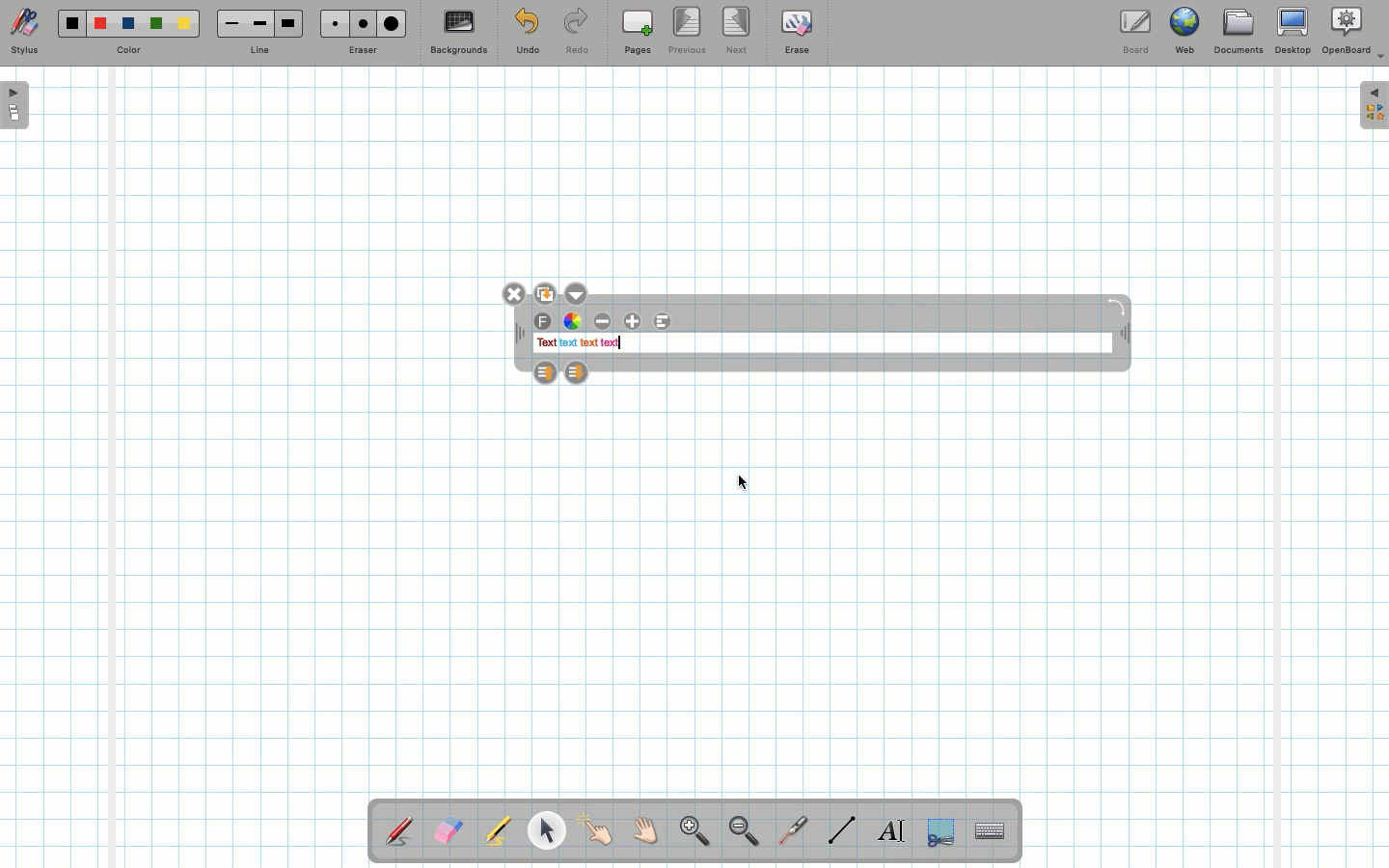  Describe the element at coordinates (360, 23) in the screenshot. I see `Medium eraser` at that location.